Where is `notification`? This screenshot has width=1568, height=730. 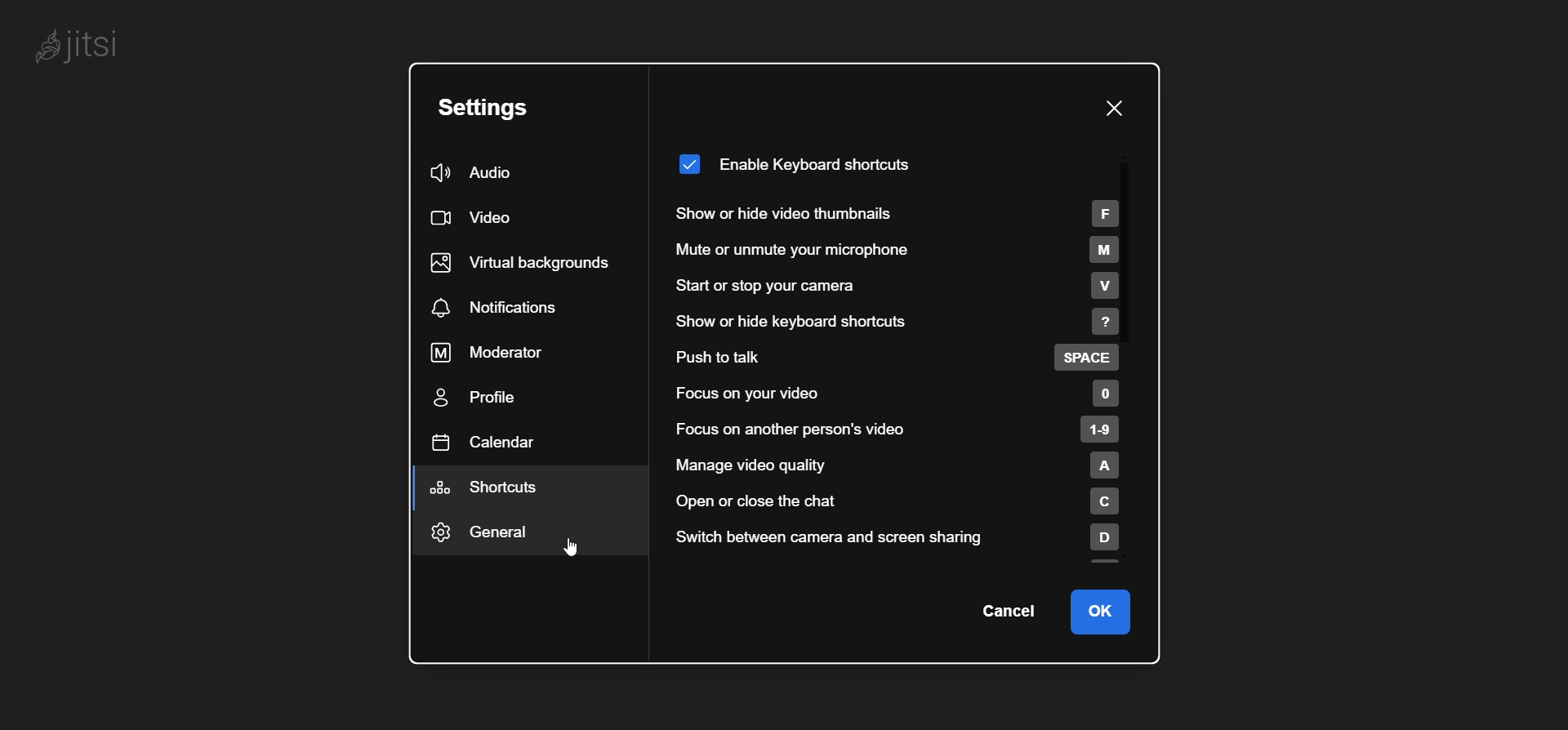
notification is located at coordinates (501, 308).